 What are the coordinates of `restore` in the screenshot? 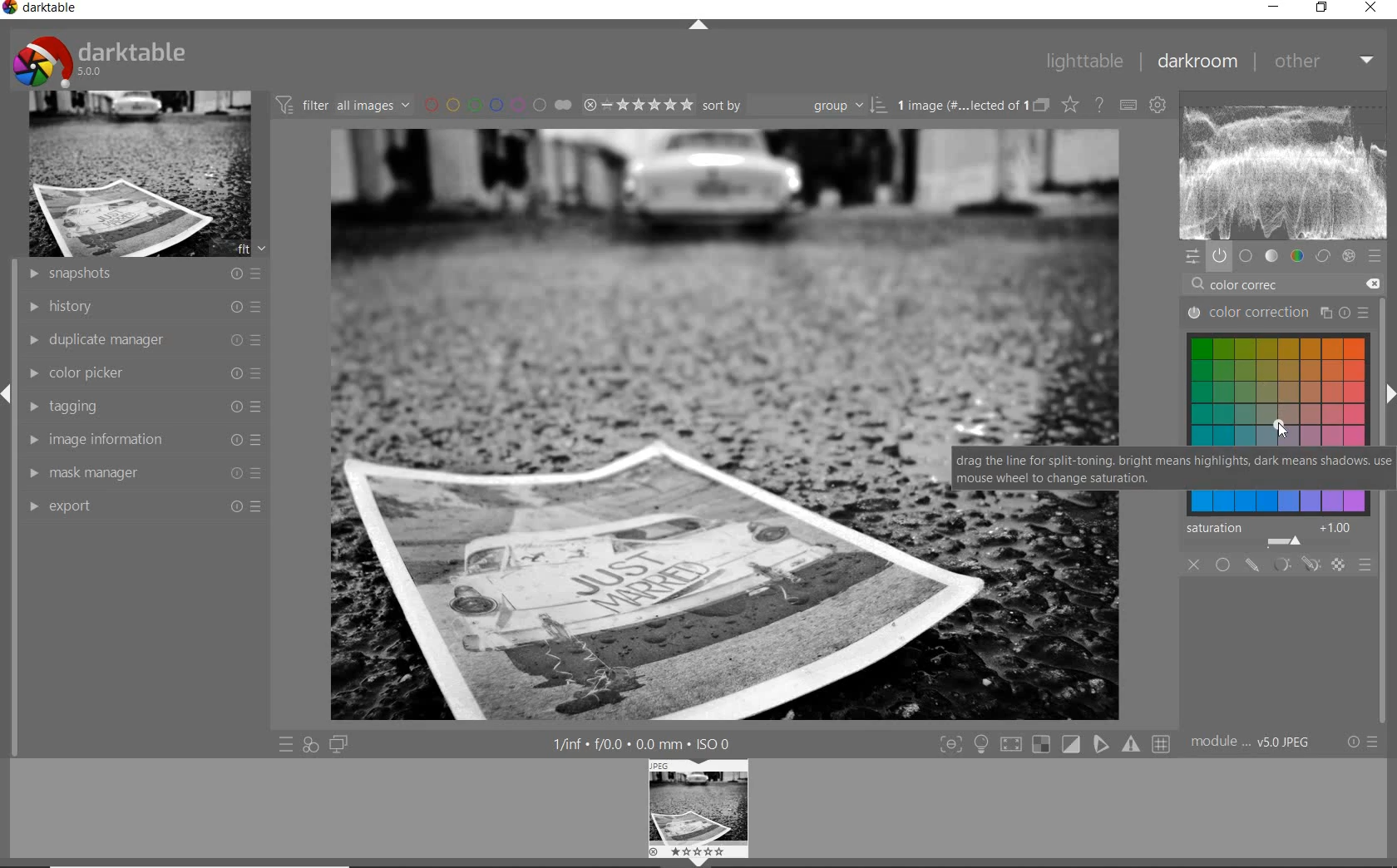 It's located at (1323, 7).